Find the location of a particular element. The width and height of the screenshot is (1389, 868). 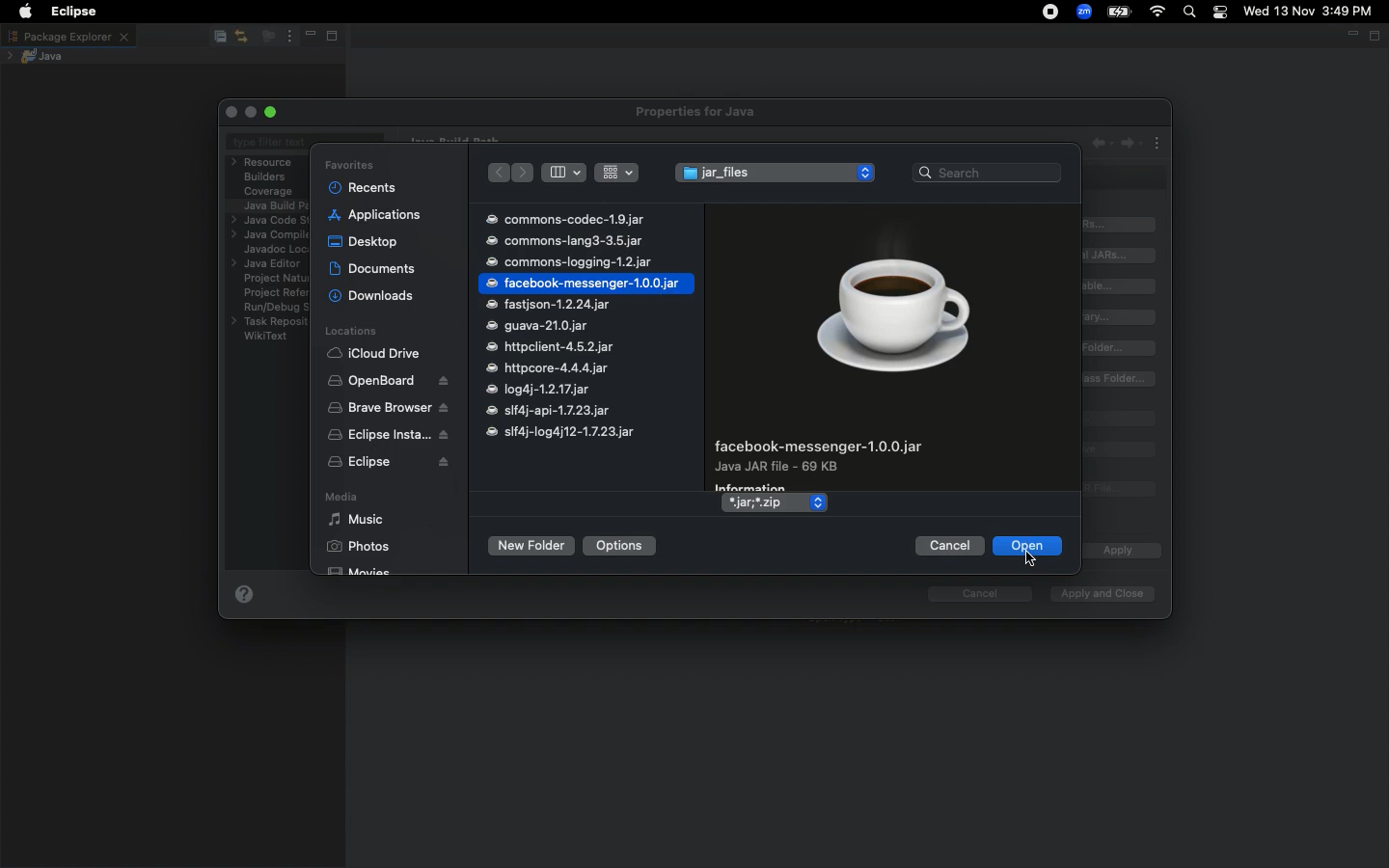

Brave browser is located at coordinates (388, 408).